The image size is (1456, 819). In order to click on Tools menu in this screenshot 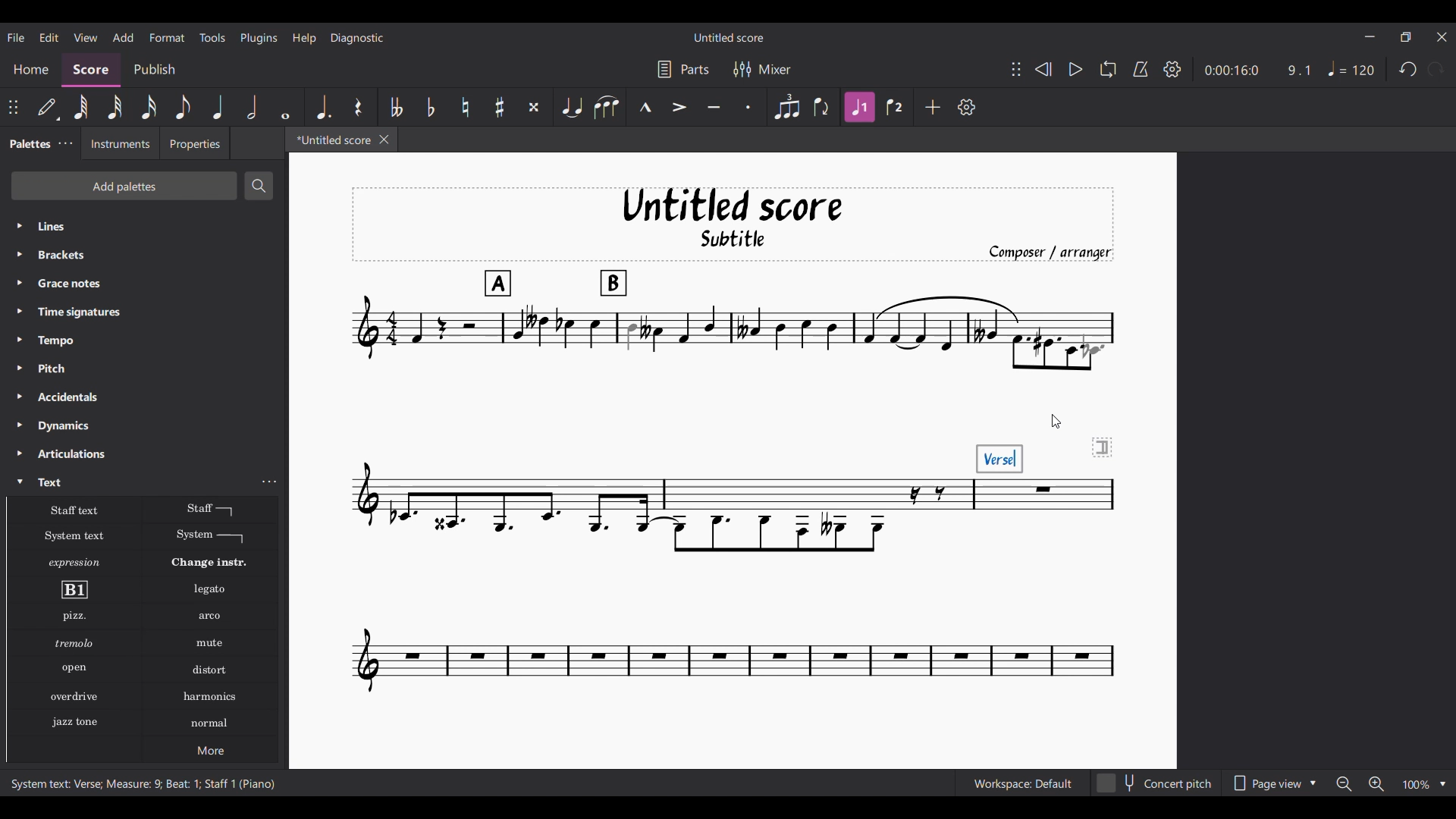, I will do `click(212, 37)`.